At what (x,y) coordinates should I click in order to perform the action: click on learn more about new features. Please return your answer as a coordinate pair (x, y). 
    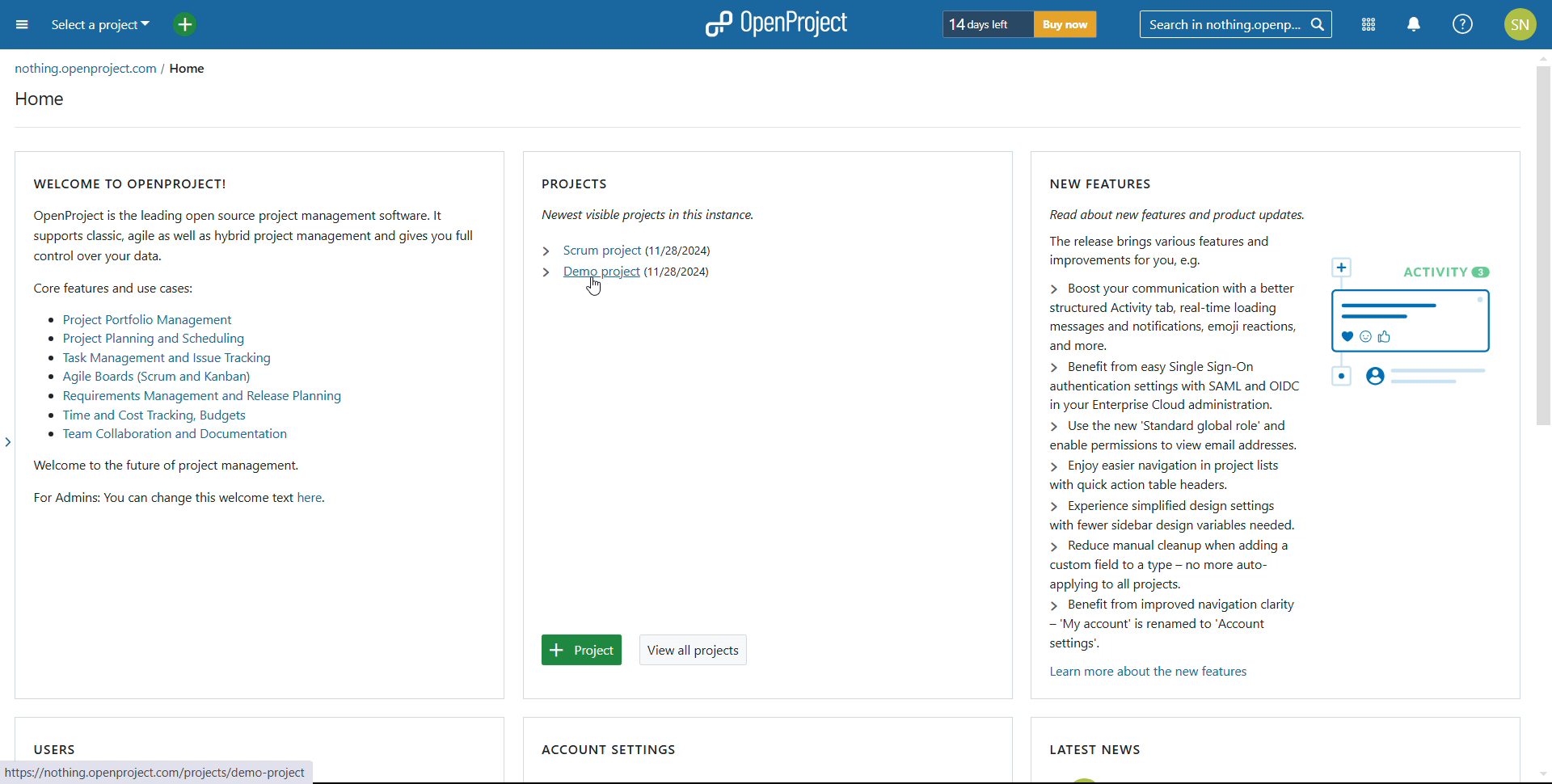
    Looking at the image, I should click on (1149, 672).